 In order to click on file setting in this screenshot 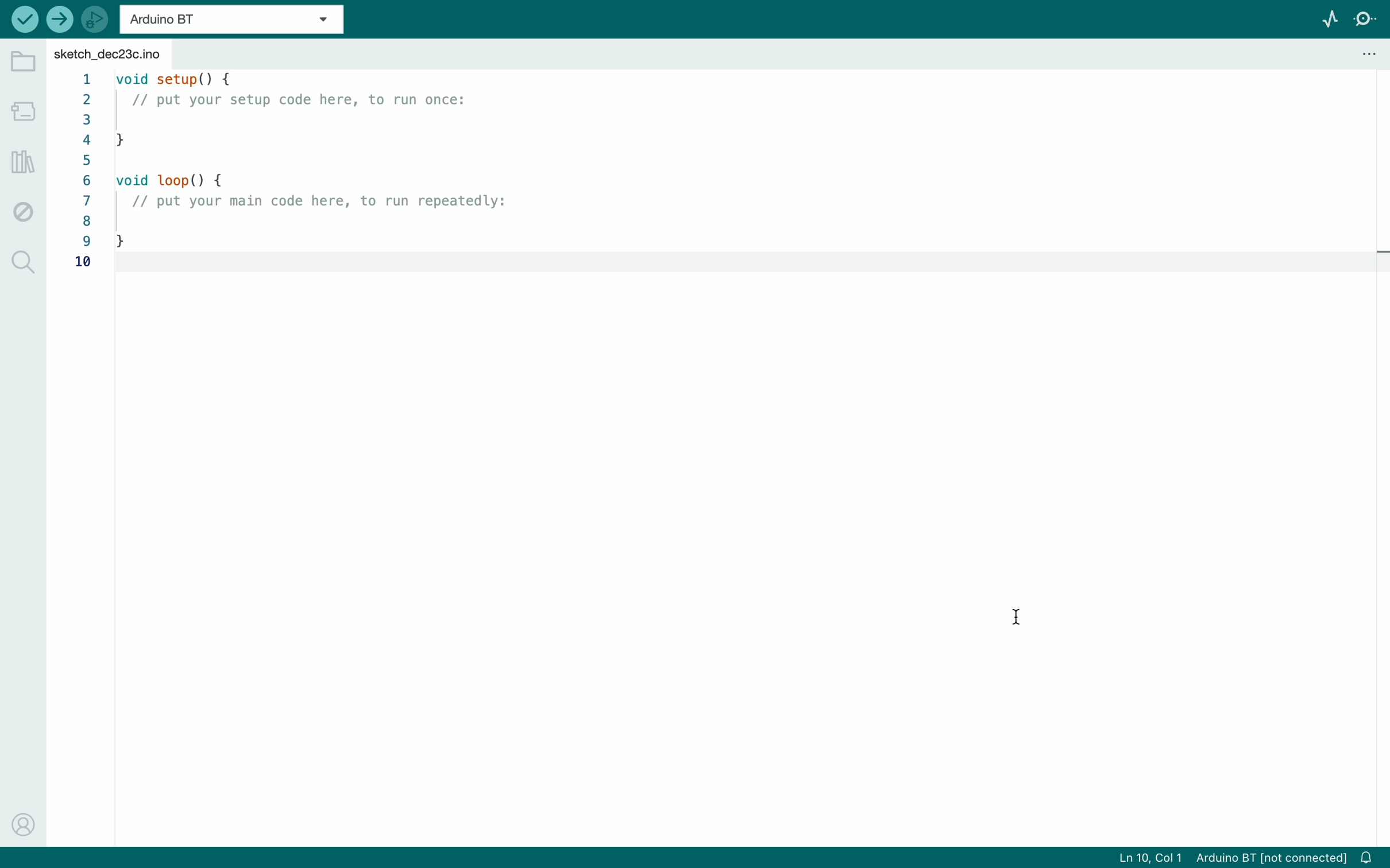, I will do `click(1368, 53)`.